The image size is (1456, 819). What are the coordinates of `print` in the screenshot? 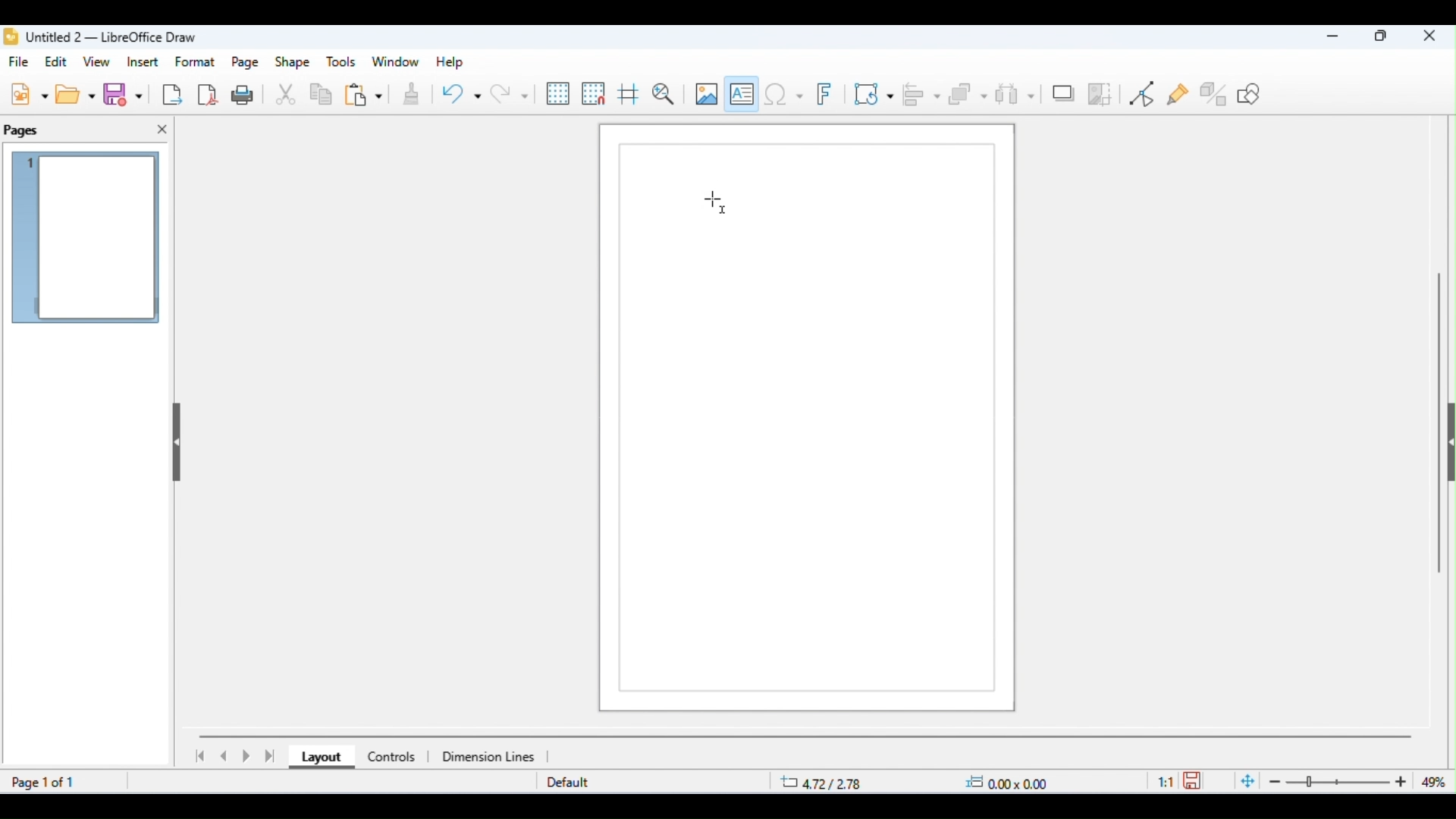 It's located at (246, 94).